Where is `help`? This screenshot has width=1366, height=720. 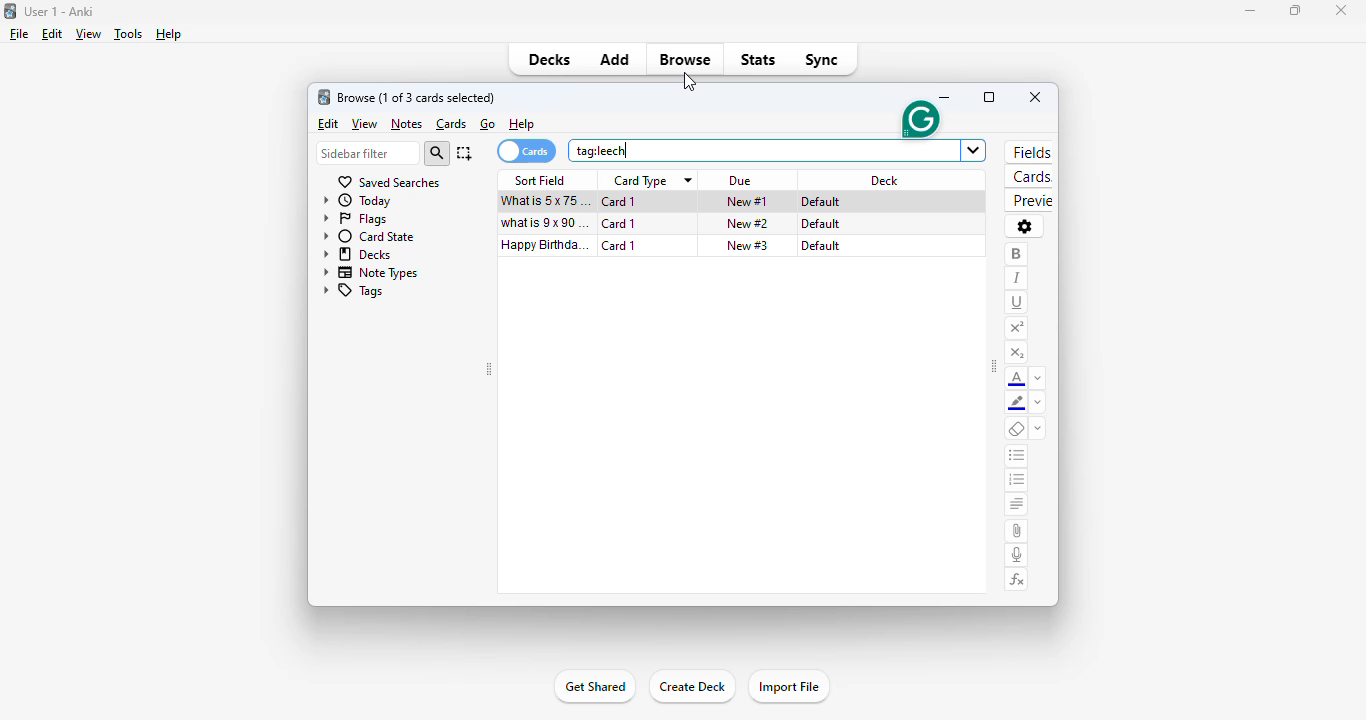 help is located at coordinates (169, 34).